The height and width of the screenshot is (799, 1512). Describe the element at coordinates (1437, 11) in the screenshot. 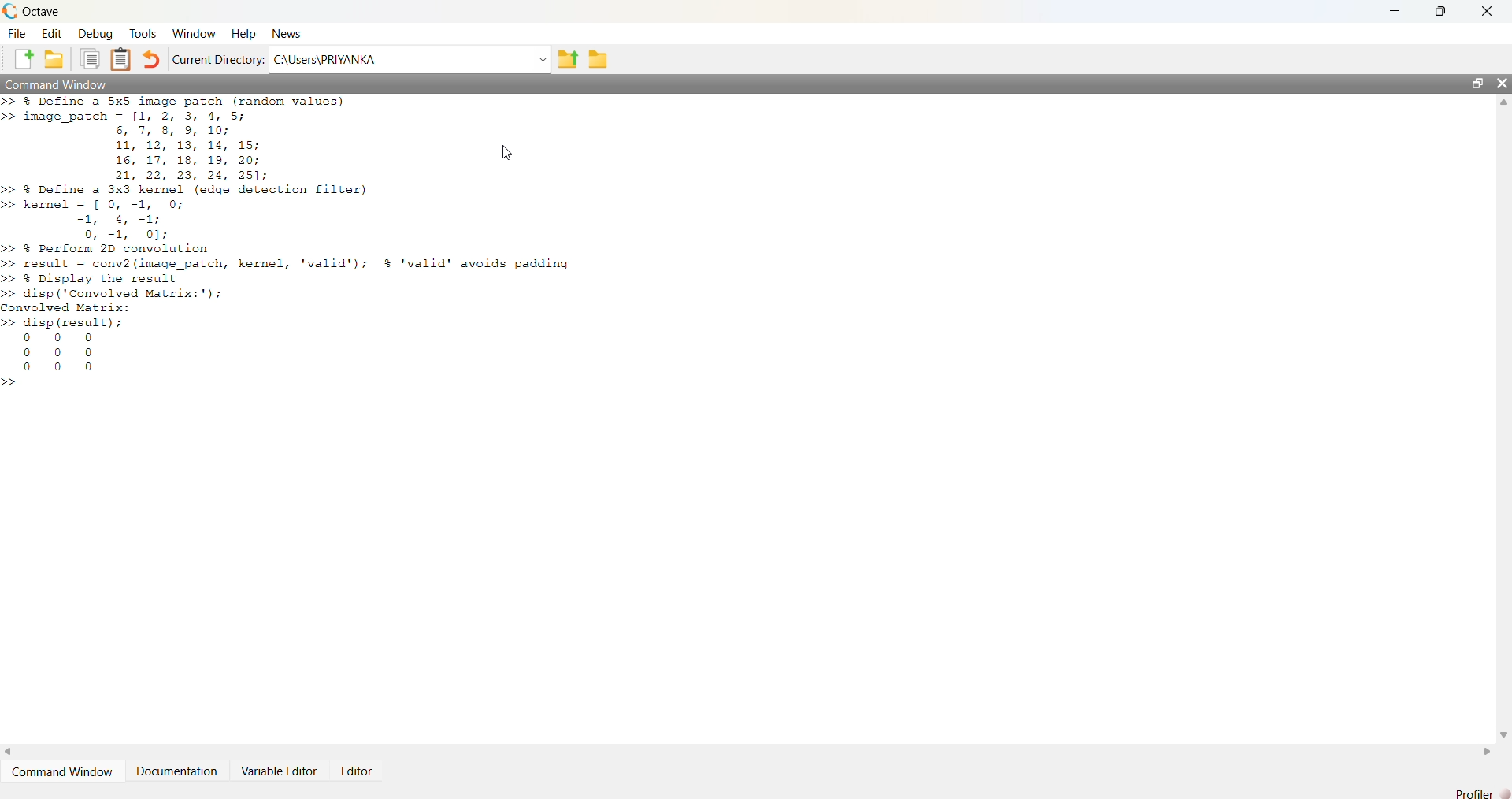

I see `Maximize` at that location.